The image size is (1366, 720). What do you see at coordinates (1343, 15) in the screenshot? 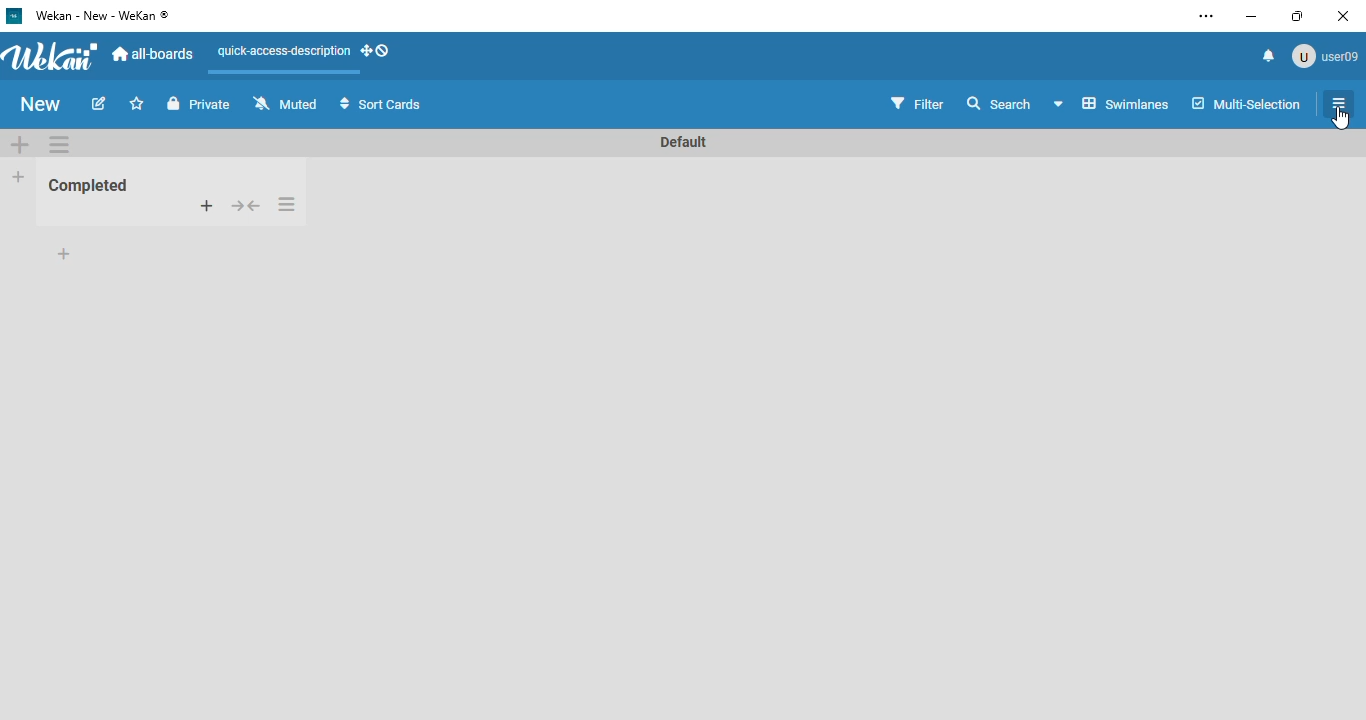
I see `close` at bounding box center [1343, 15].